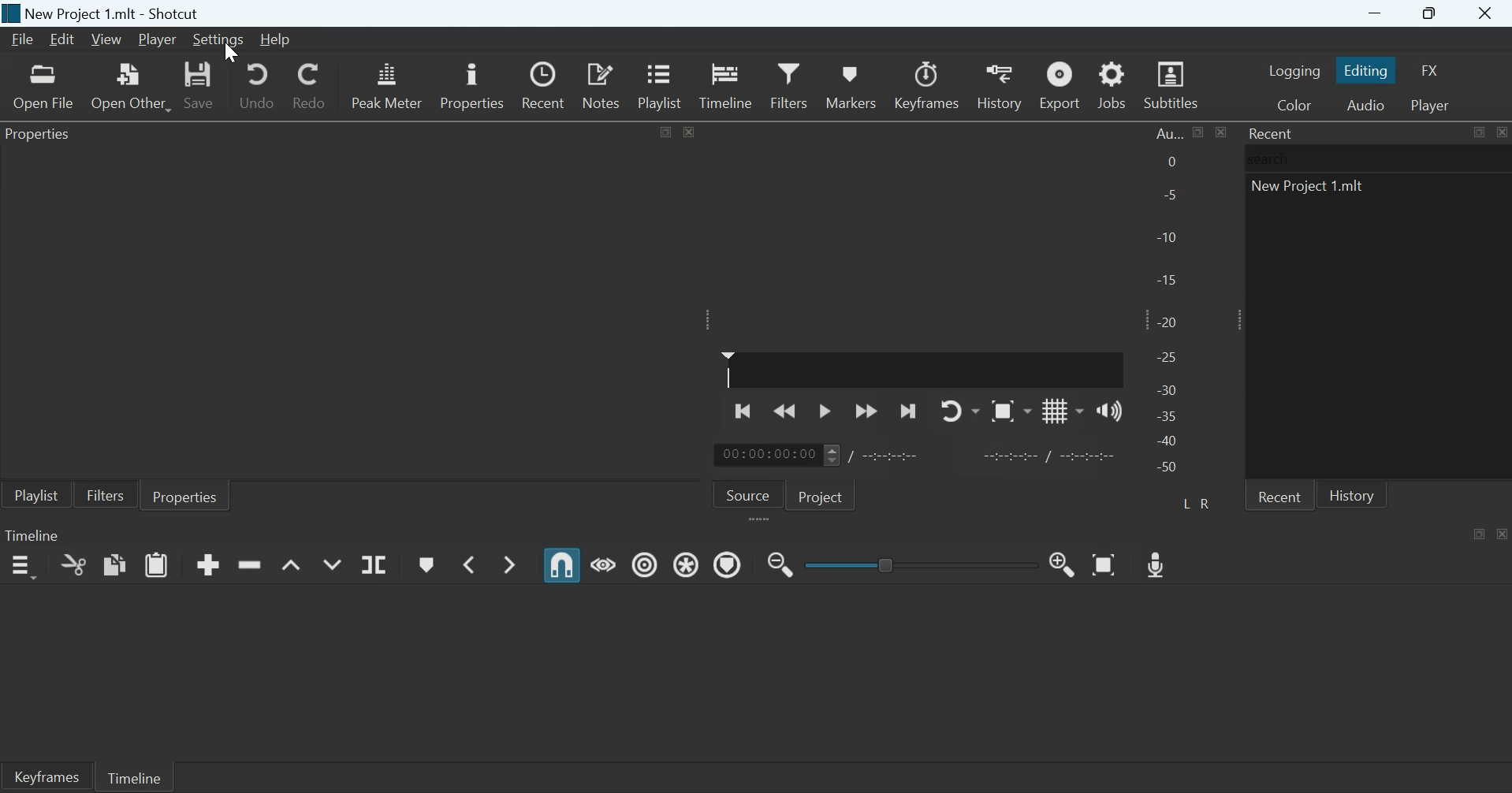 The width and height of the screenshot is (1512, 793). I want to click on Play quickly backwards, so click(786, 410).